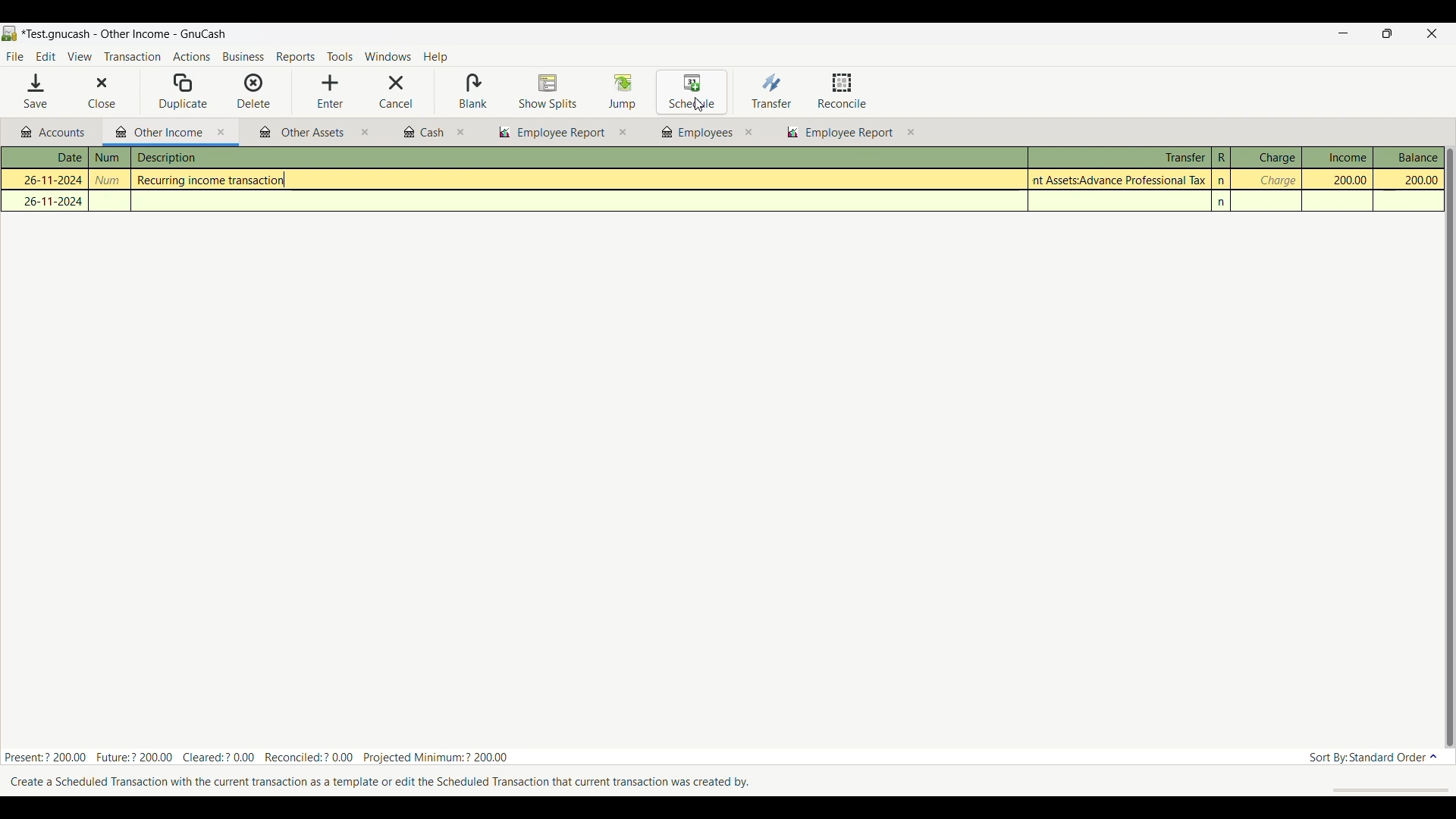 The image size is (1456, 819). I want to click on Income column, so click(1337, 157).